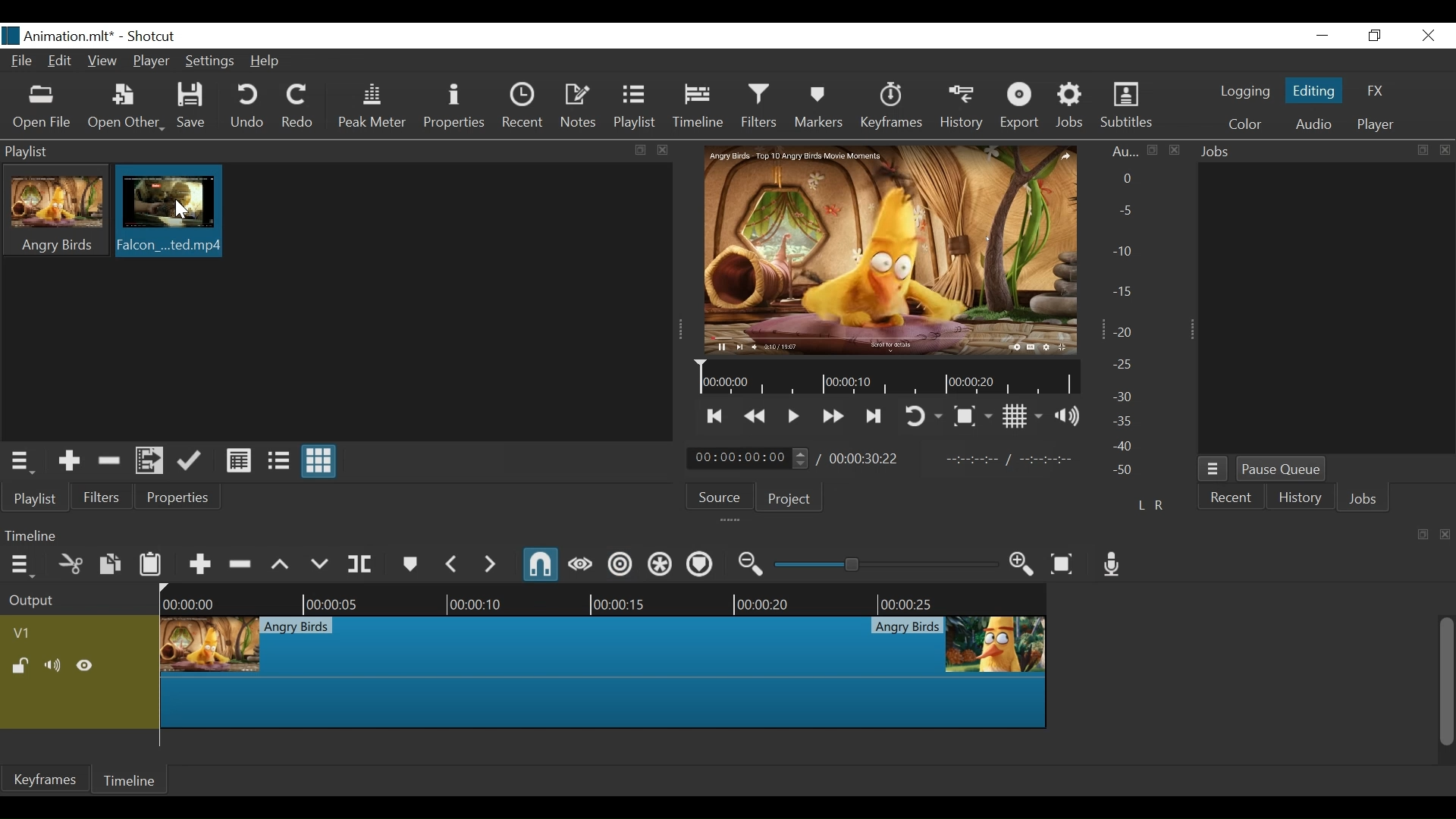  What do you see at coordinates (833, 417) in the screenshot?
I see `Play forward quickly` at bounding box center [833, 417].